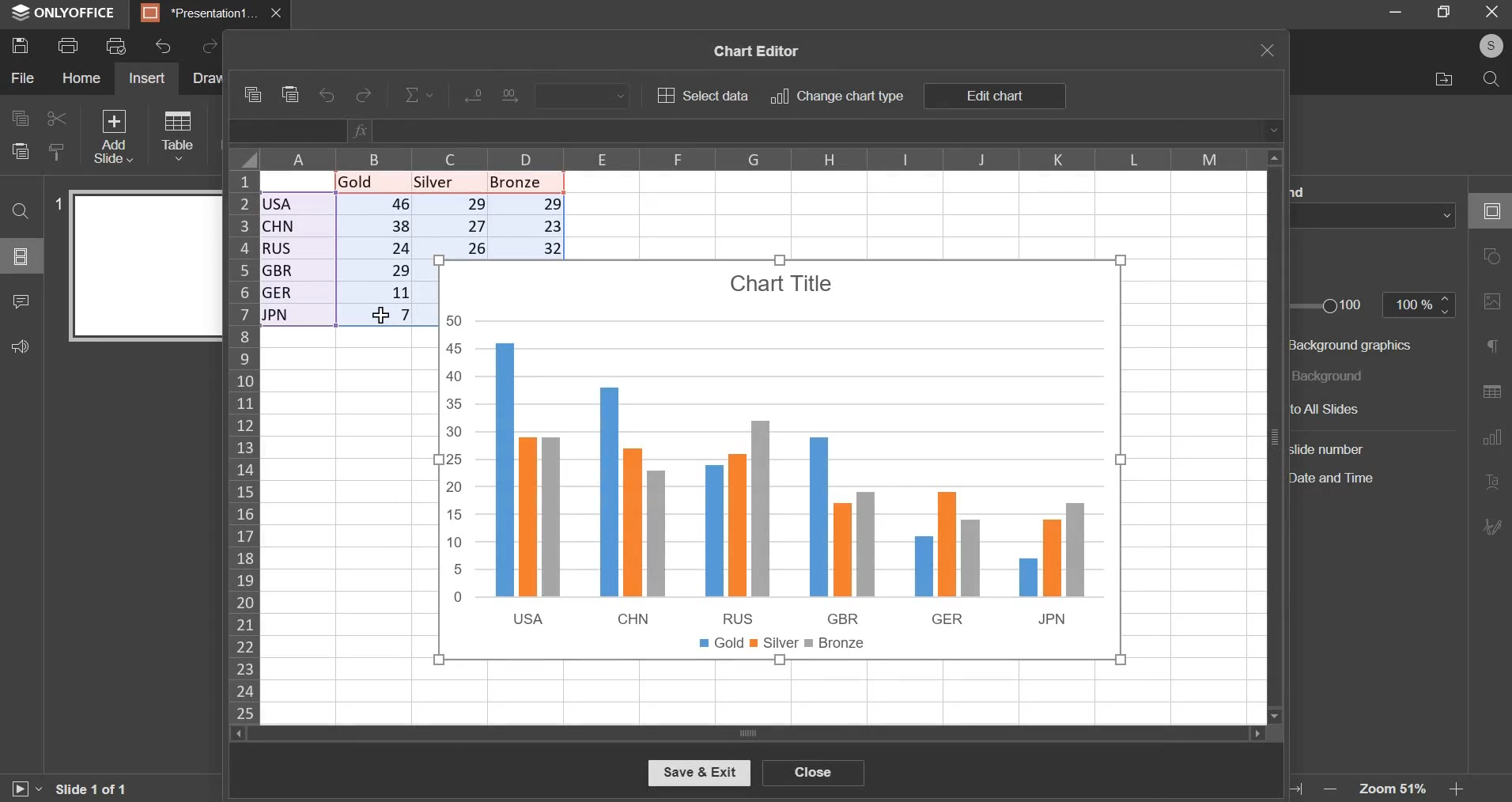 The width and height of the screenshot is (1512, 802). I want to click on slide menu, so click(20, 256).